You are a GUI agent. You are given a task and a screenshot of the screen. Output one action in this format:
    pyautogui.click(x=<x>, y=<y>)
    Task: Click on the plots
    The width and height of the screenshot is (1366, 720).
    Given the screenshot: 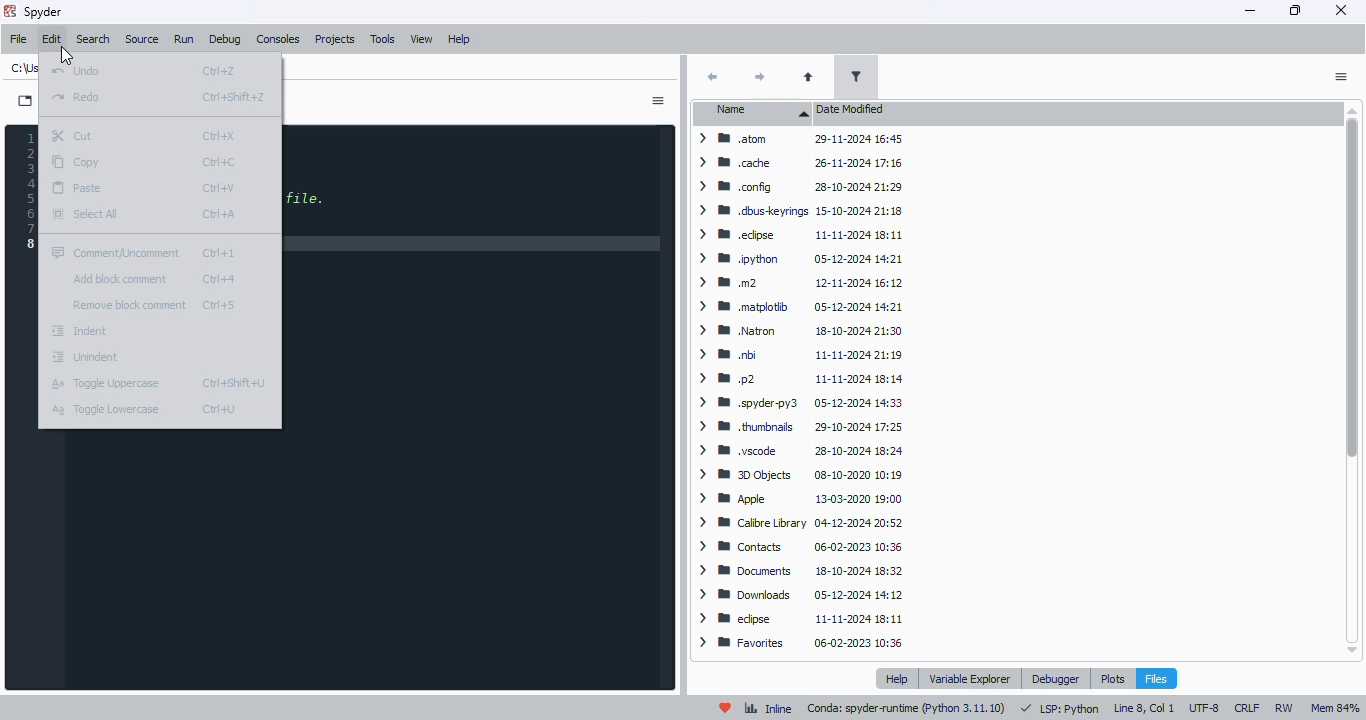 What is the action you would take?
    pyautogui.click(x=1112, y=678)
    